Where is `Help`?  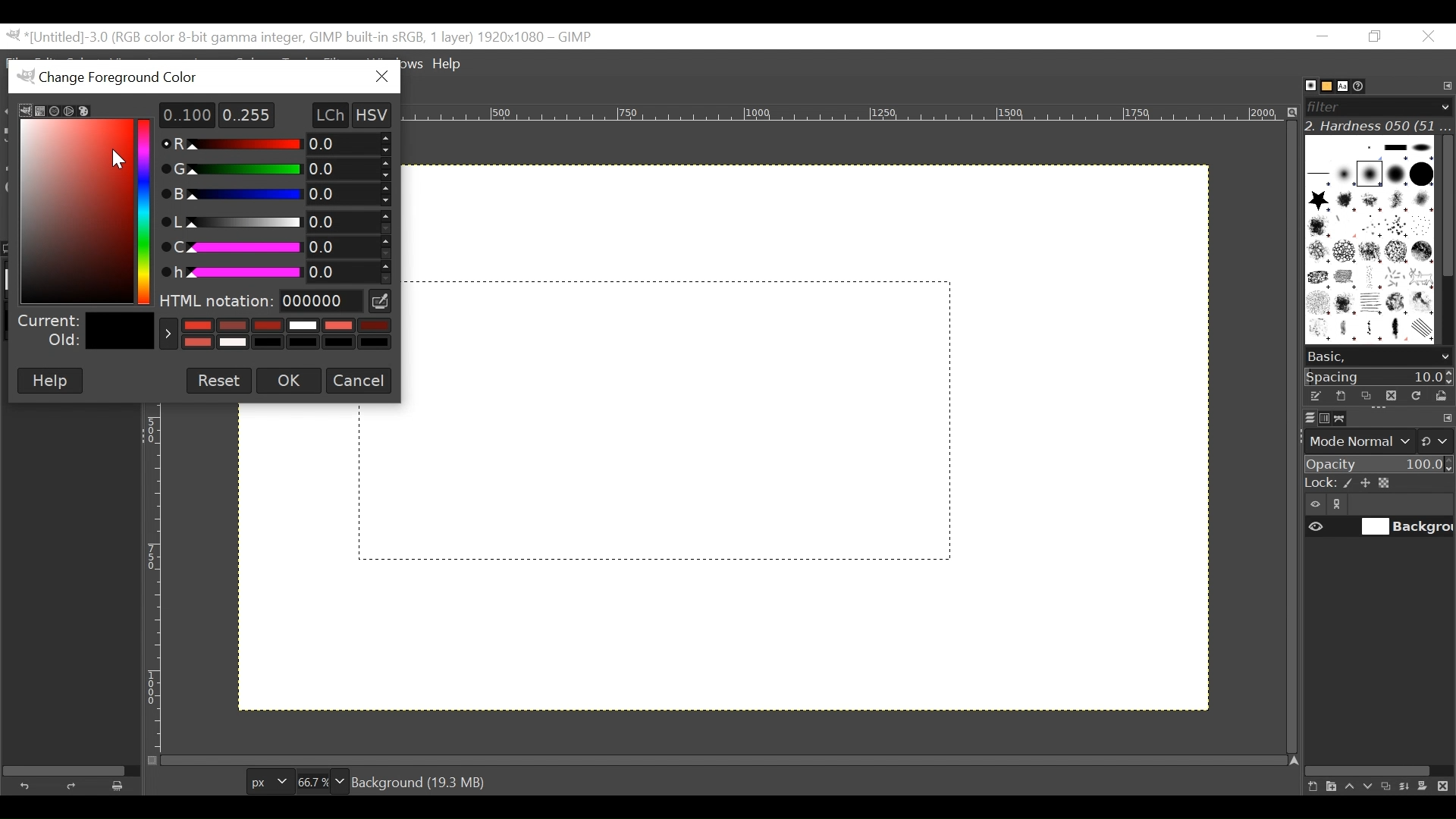 Help is located at coordinates (49, 381).